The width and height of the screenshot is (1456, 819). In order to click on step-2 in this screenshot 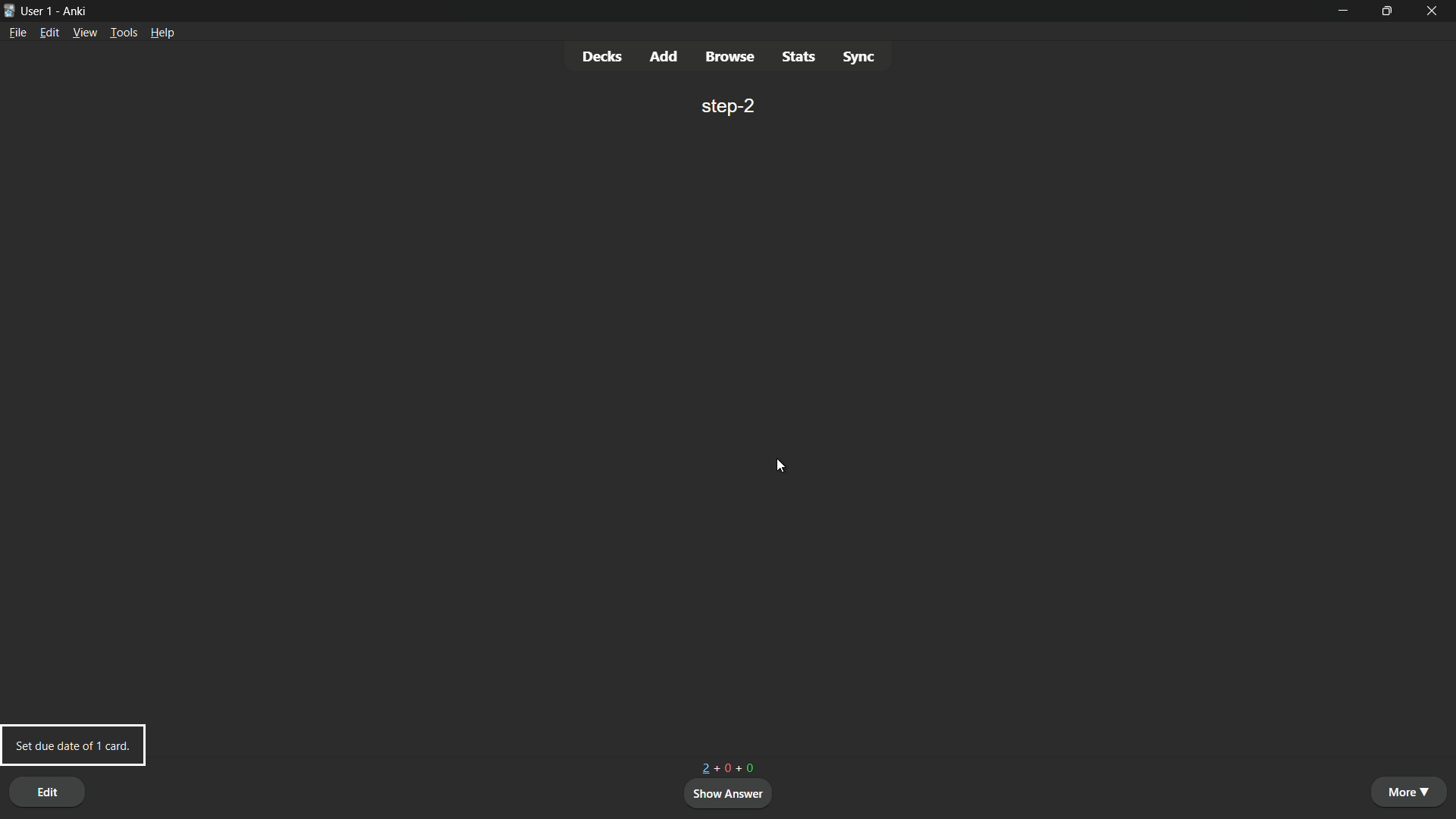, I will do `click(729, 107)`.